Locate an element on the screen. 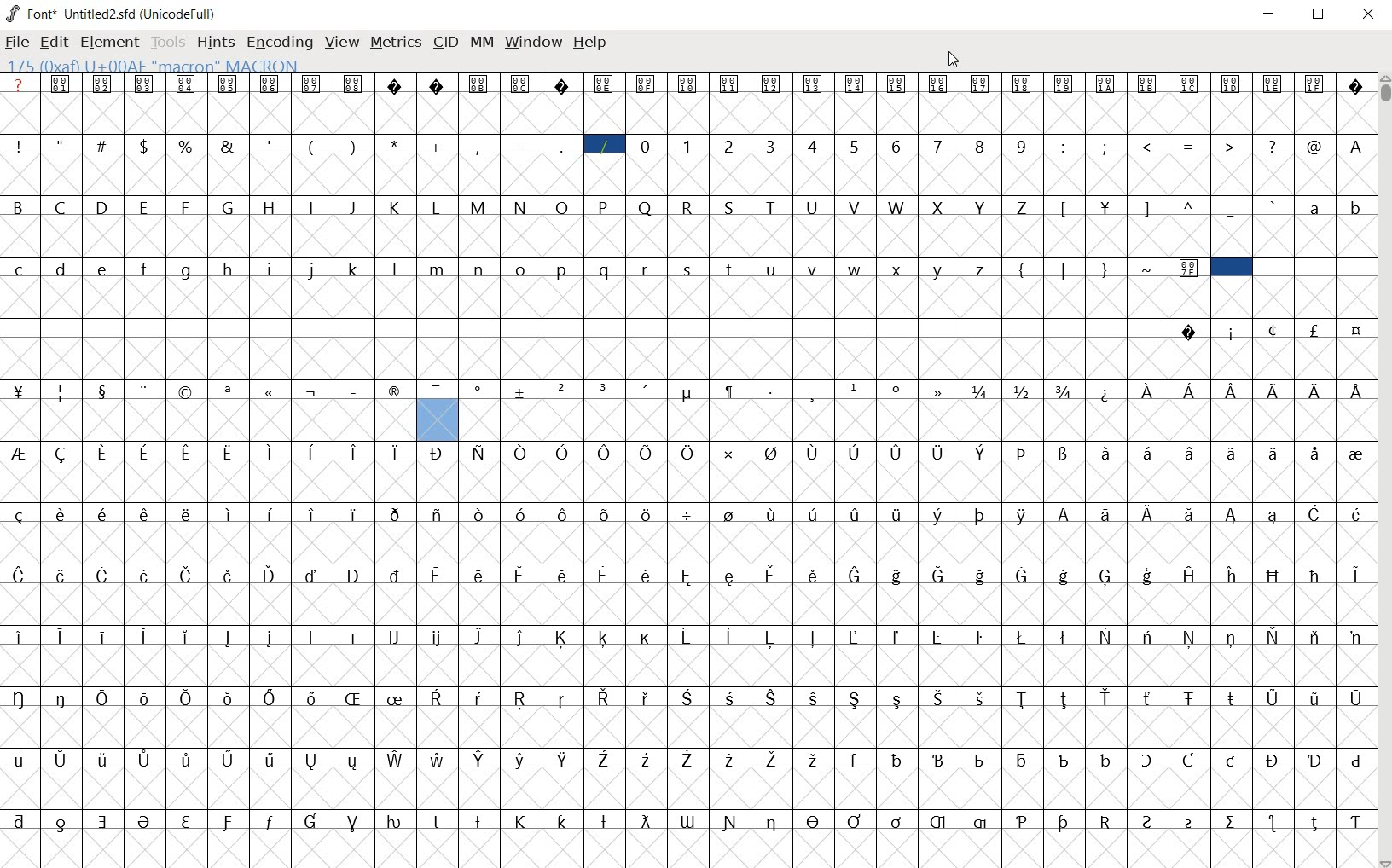  9 is located at coordinates (1024, 145).